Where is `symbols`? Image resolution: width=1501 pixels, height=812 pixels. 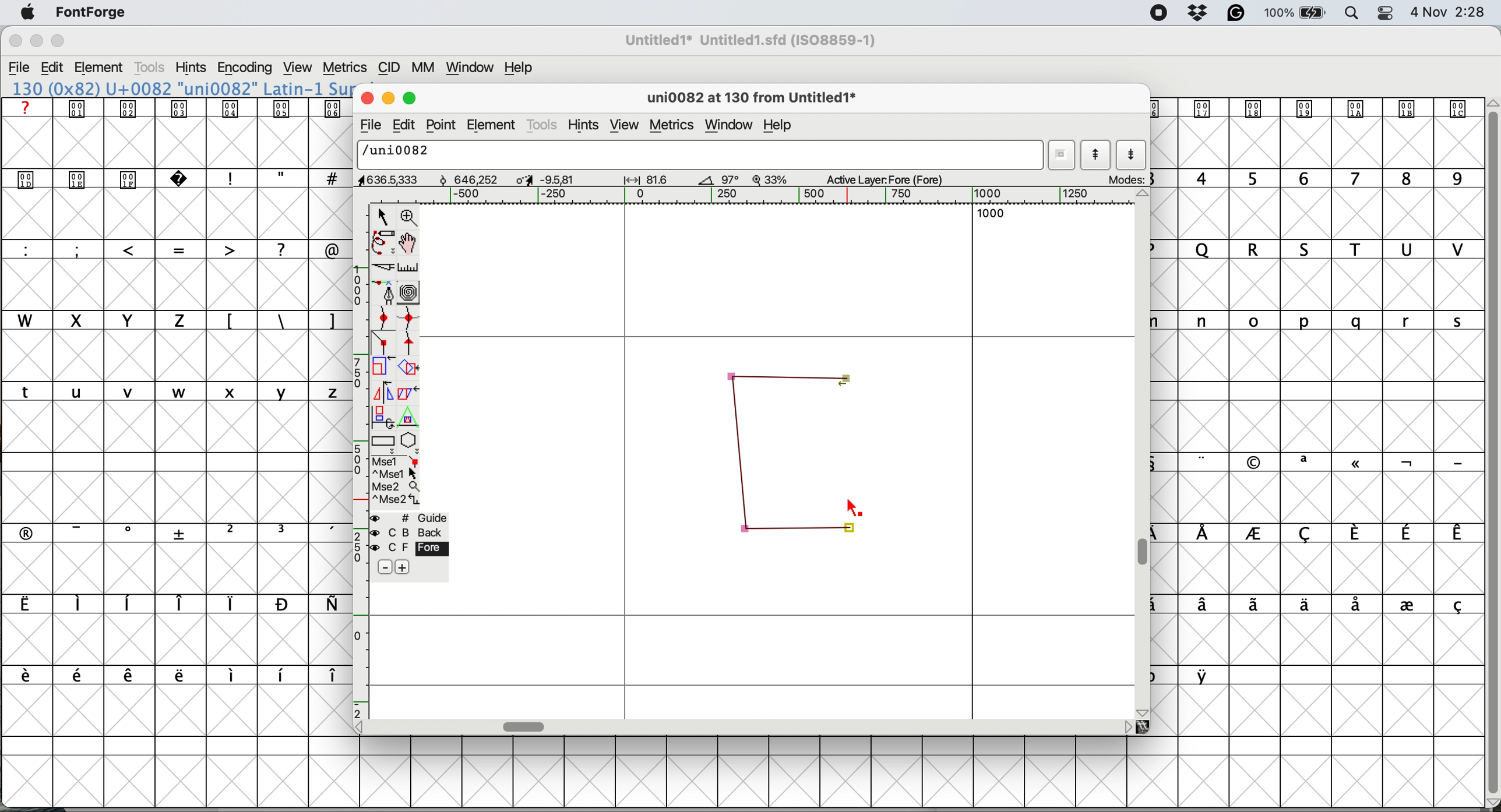 symbols is located at coordinates (1325, 606).